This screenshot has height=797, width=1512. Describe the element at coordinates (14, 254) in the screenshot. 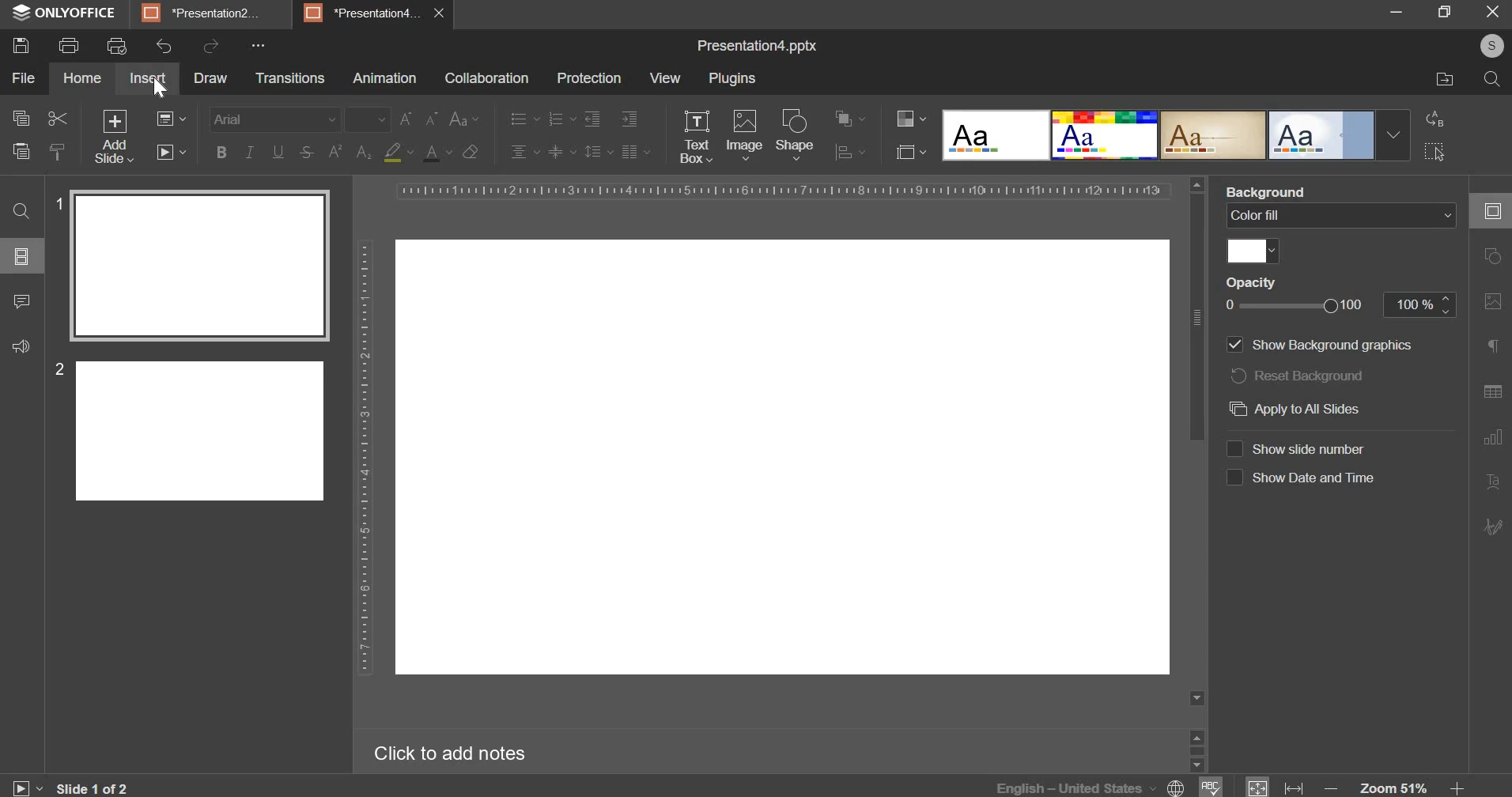

I see `options` at that location.